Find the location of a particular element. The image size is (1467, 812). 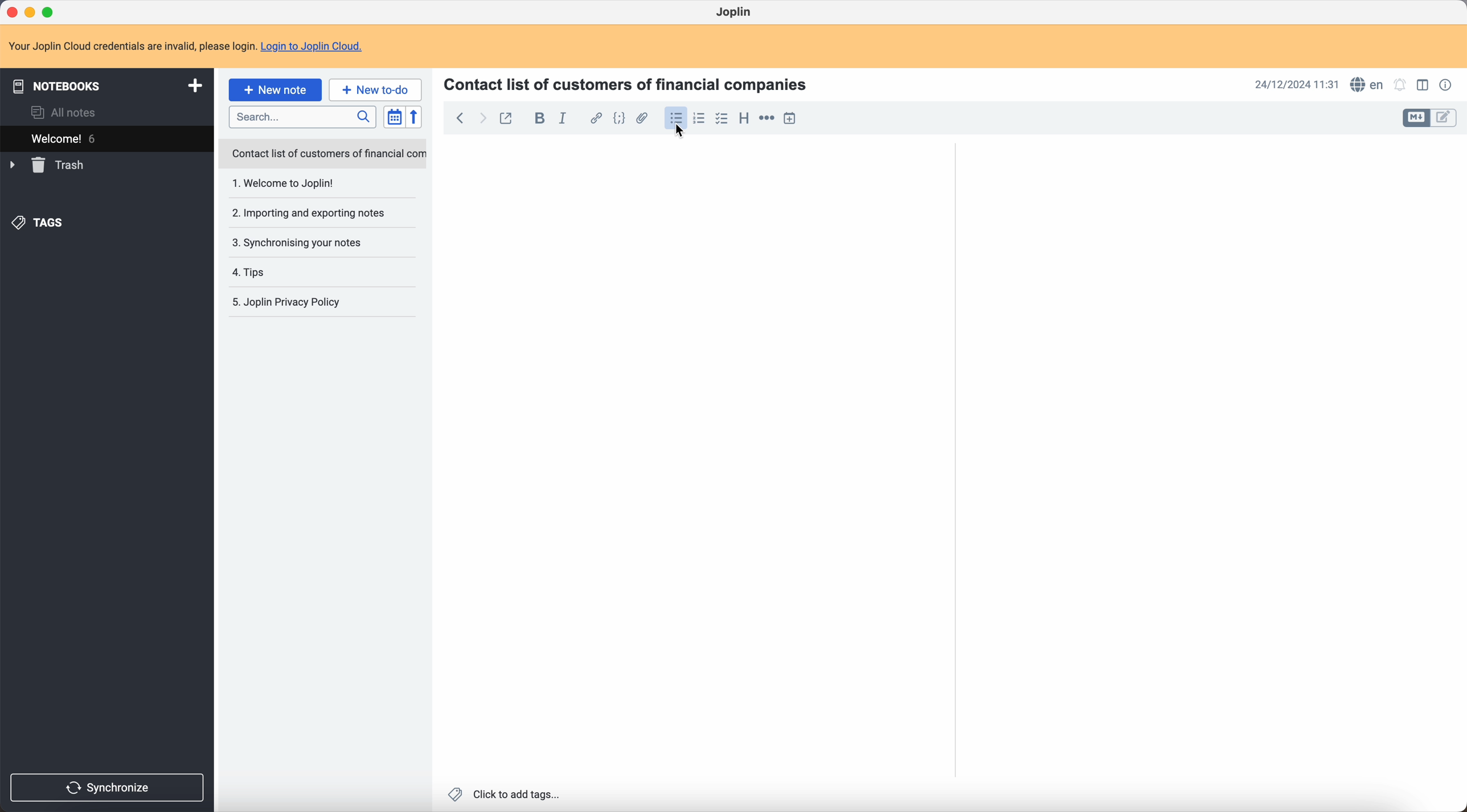

4. Tips is located at coordinates (284, 272).